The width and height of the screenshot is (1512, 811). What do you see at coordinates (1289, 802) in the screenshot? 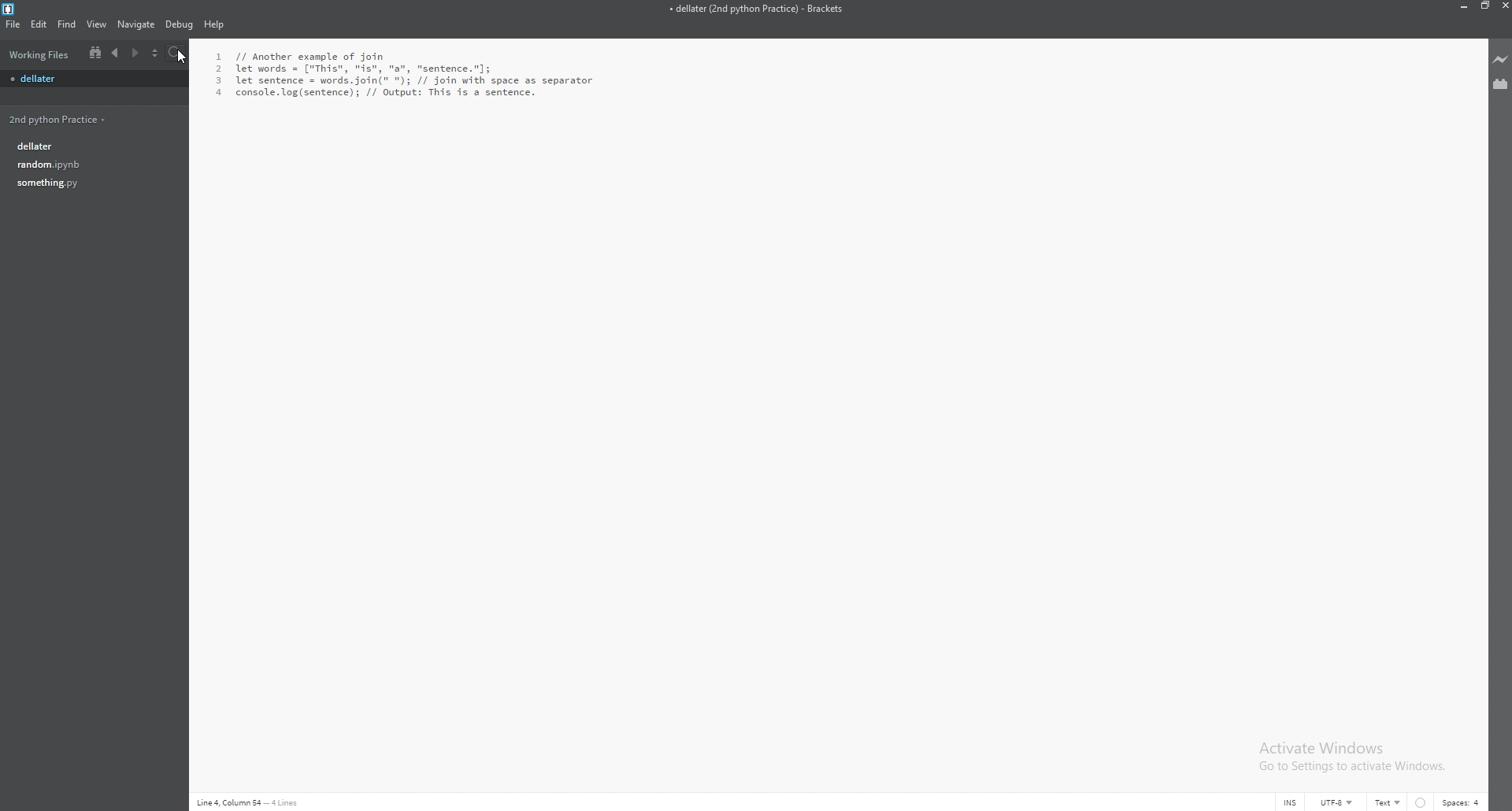
I see `cursor mode` at bounding box center [1289, 802].